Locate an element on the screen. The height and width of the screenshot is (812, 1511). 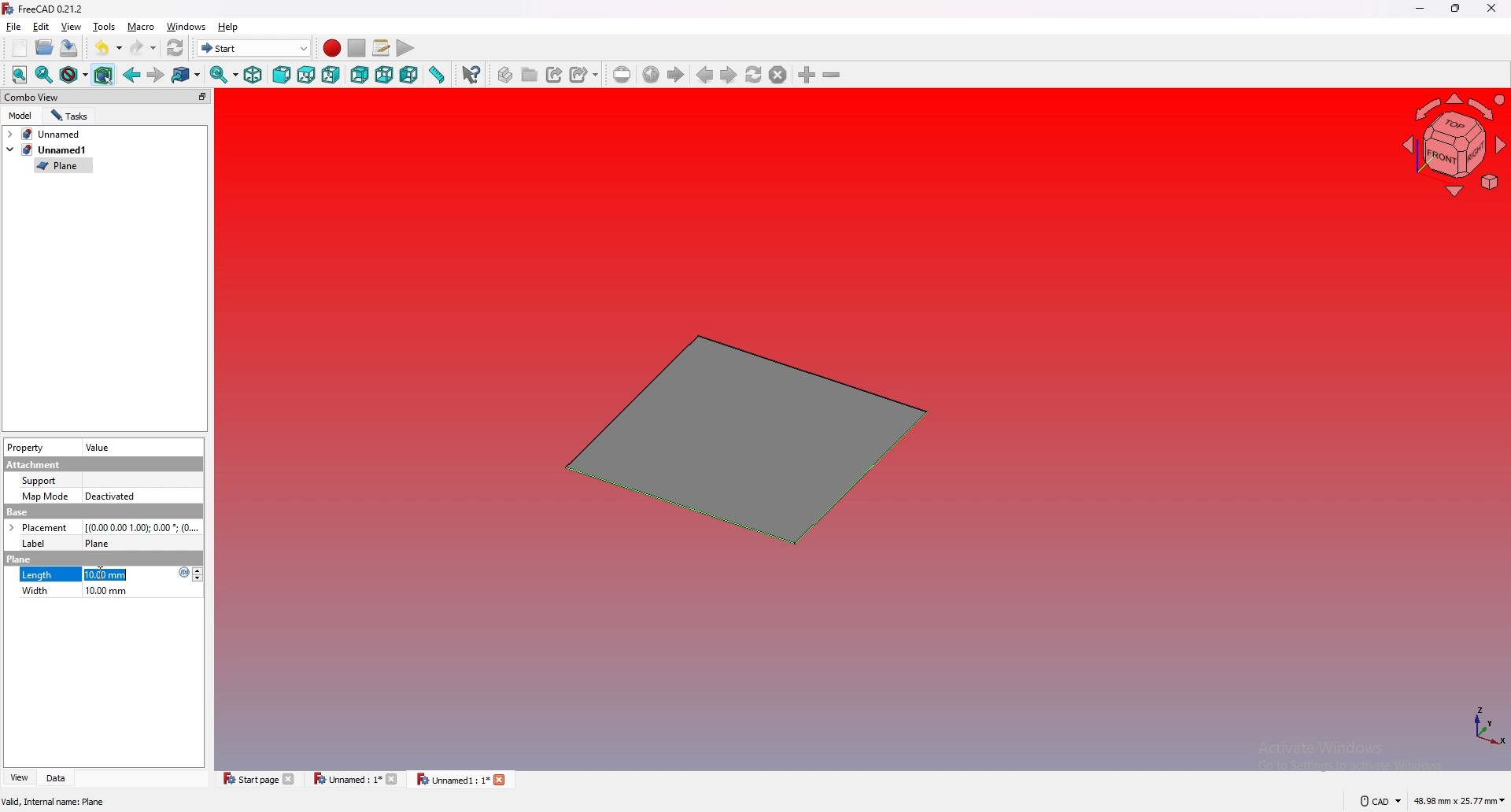
next page is located at coordinates (730, 76).